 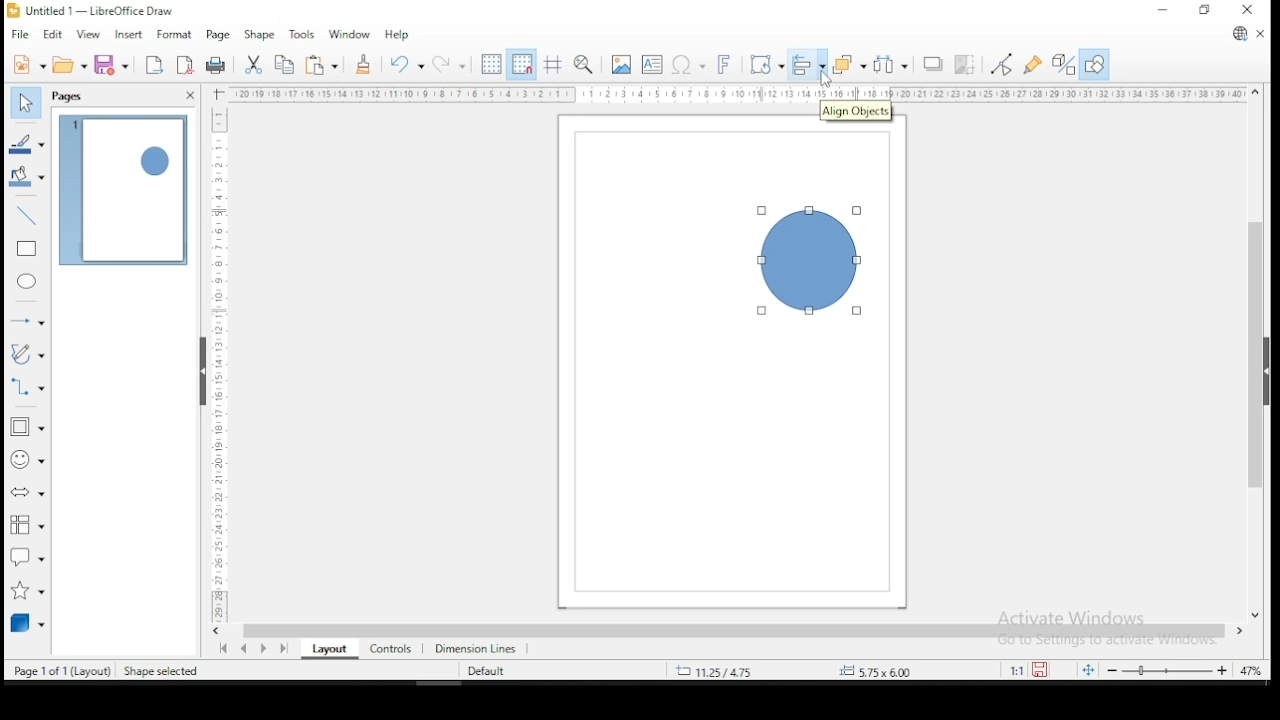 I want to click on layout, so click(x=326, y=649).